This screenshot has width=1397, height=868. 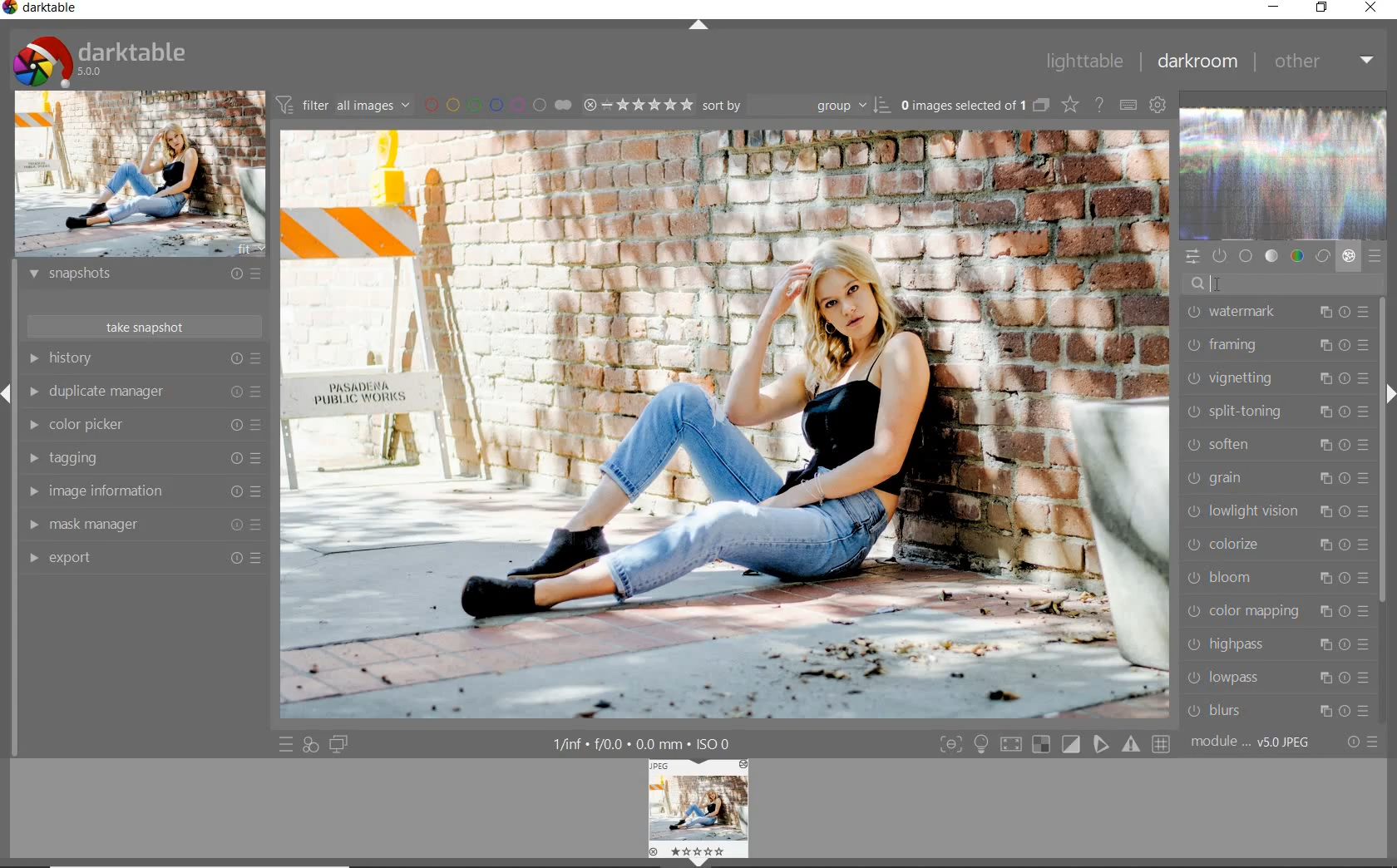 I want to click on module, so click(x=1250, y=742).